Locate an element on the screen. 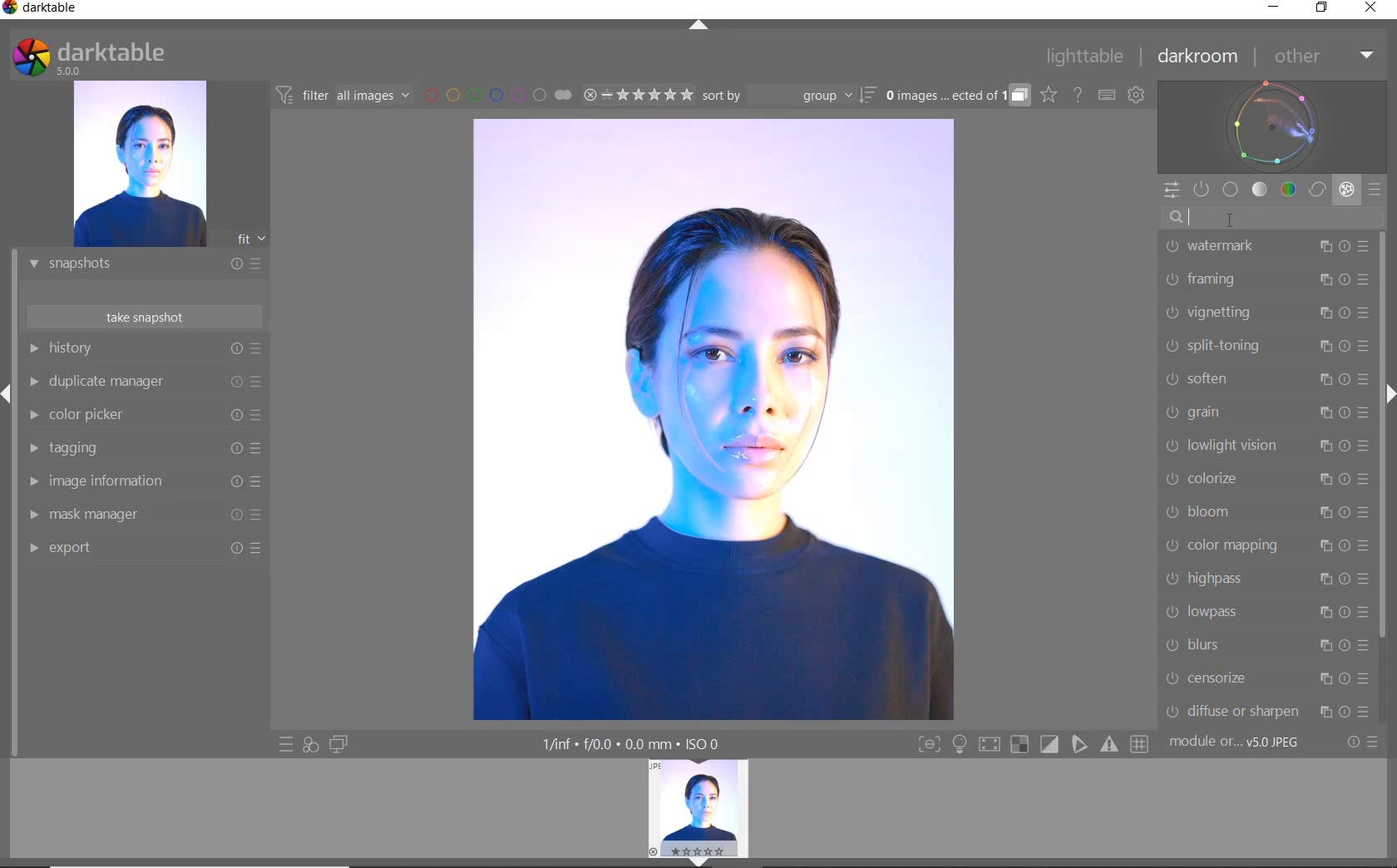 The height and width of the screenshot is (868, 1397). CLICK TO CHANGE THE OVERLAYS SHOWN ON THUMBNAILS is located at coordinates (1049, 95).